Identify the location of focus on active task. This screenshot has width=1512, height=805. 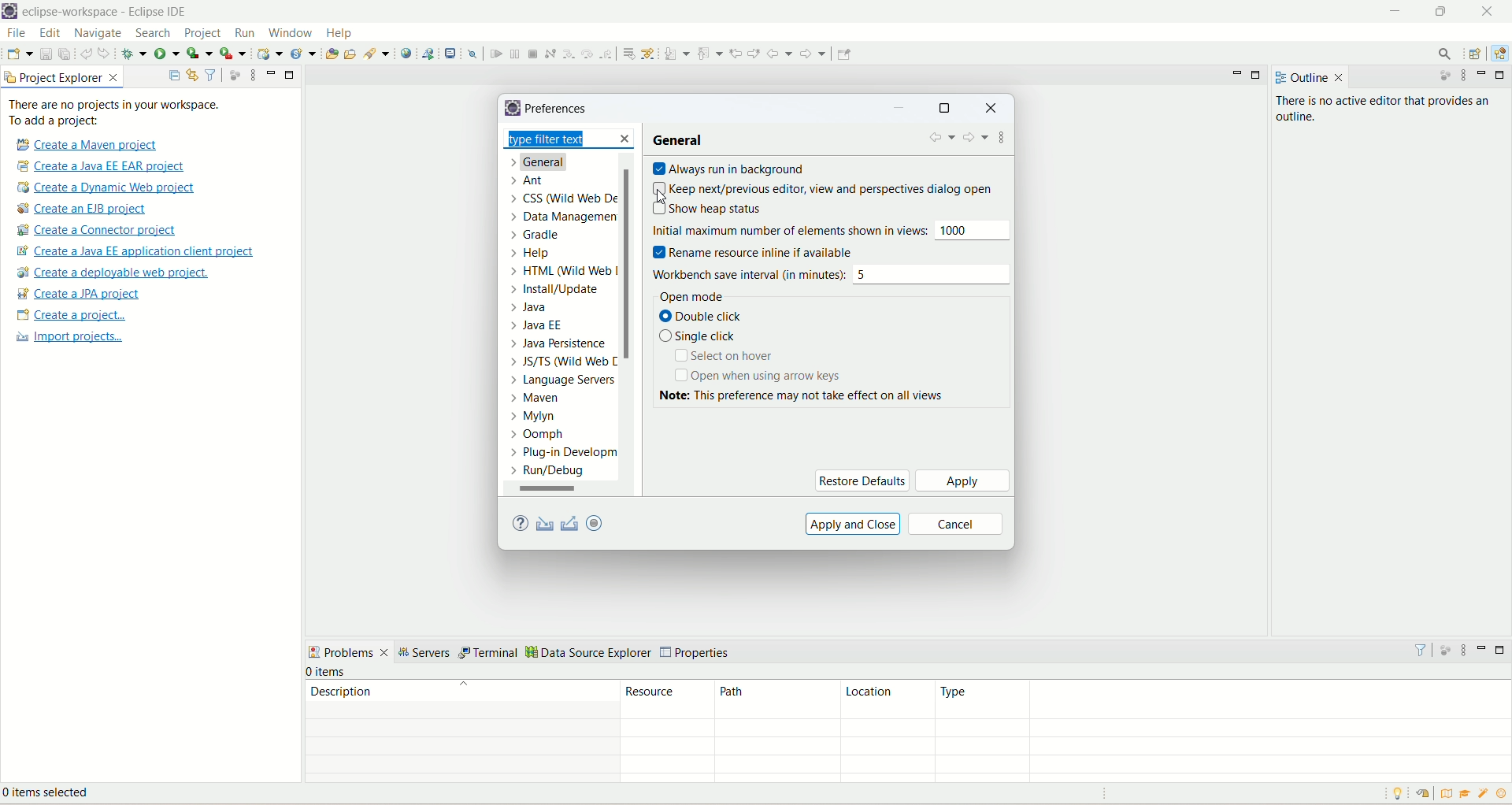
(235, 74).